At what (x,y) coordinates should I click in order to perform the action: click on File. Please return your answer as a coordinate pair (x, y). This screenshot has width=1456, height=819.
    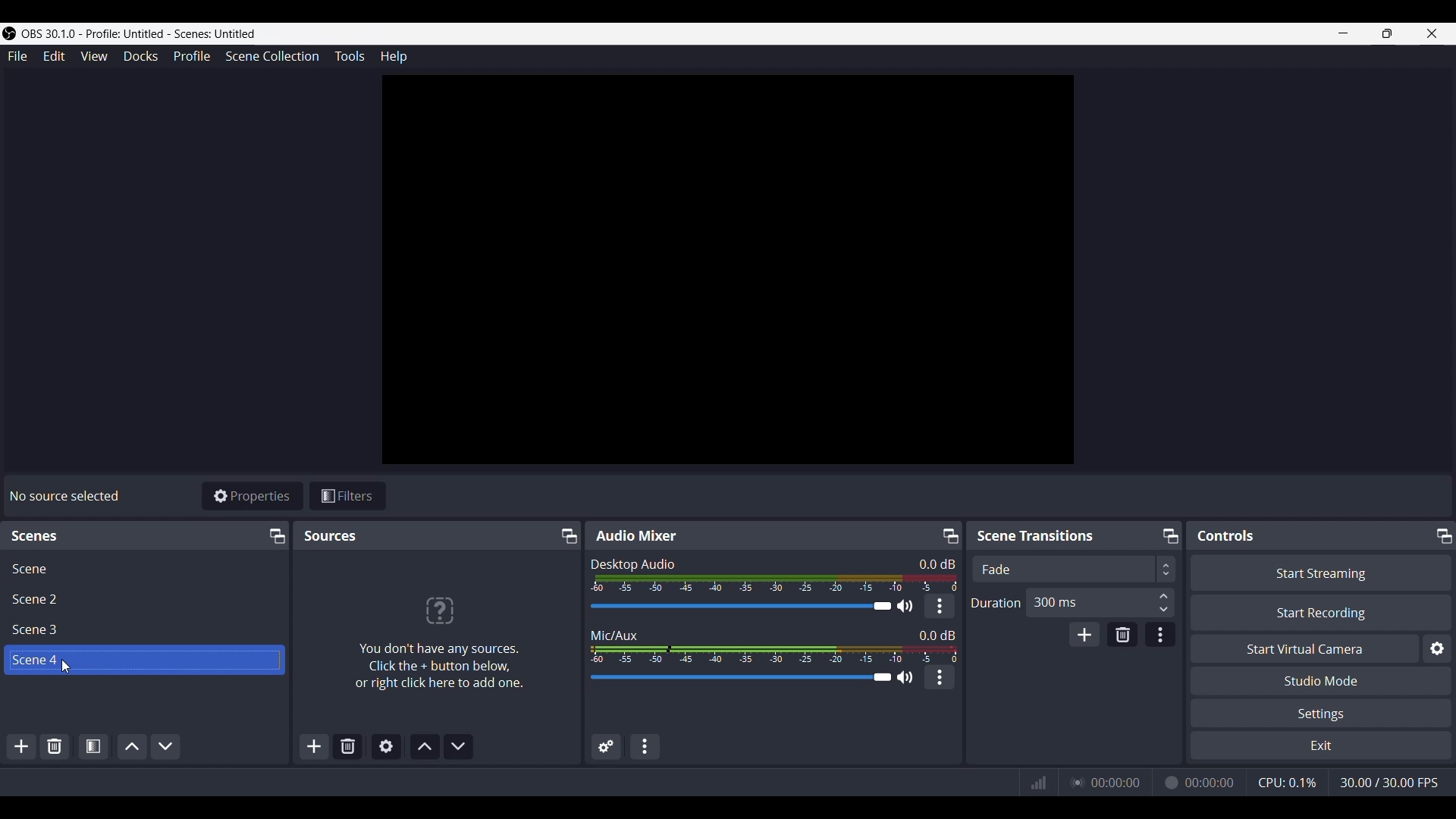
    Looking at the image, I should click on (20, 56).